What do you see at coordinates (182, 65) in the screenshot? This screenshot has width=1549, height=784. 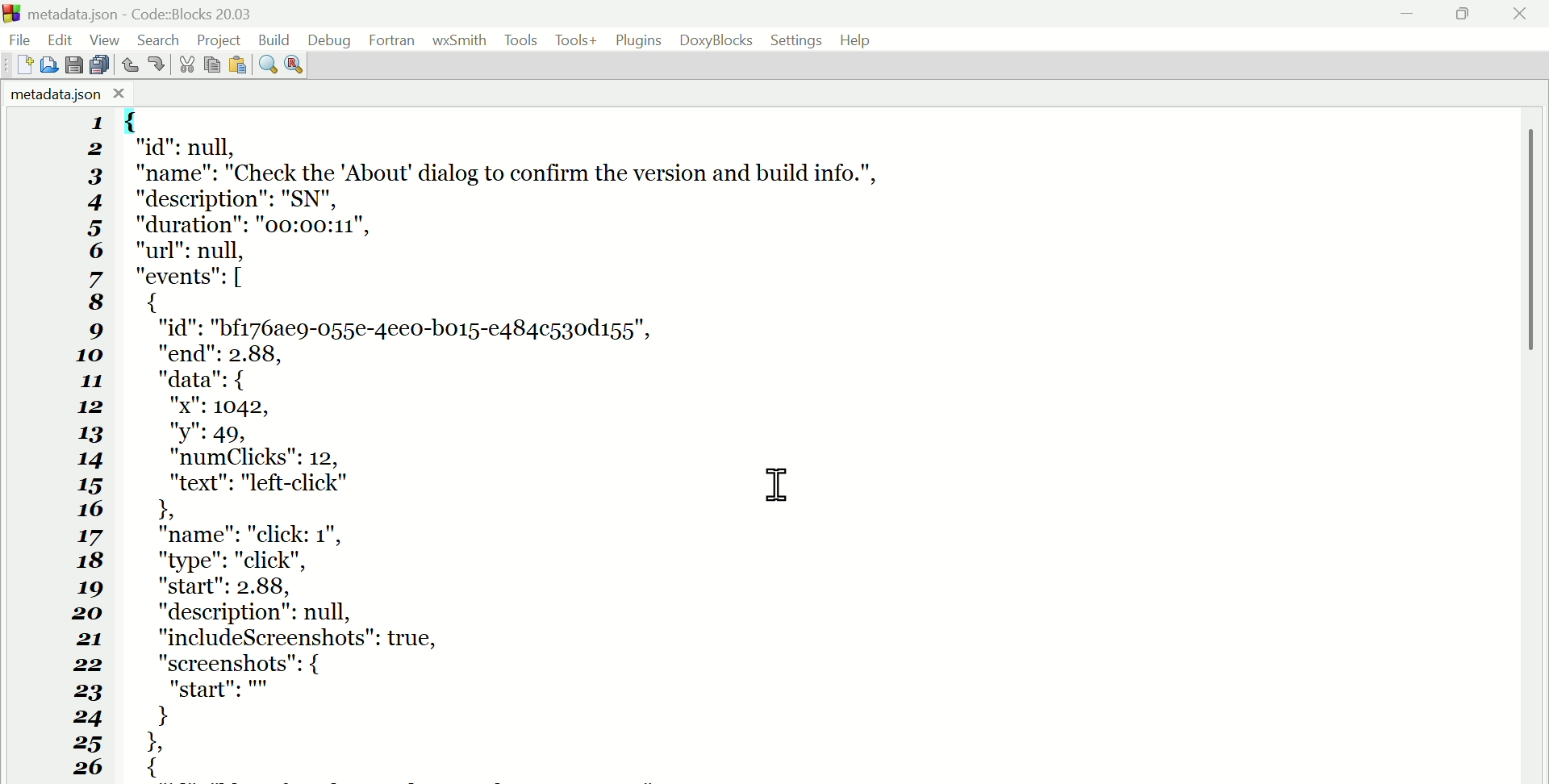 I see `Cut` at bounding box center [182, 65].